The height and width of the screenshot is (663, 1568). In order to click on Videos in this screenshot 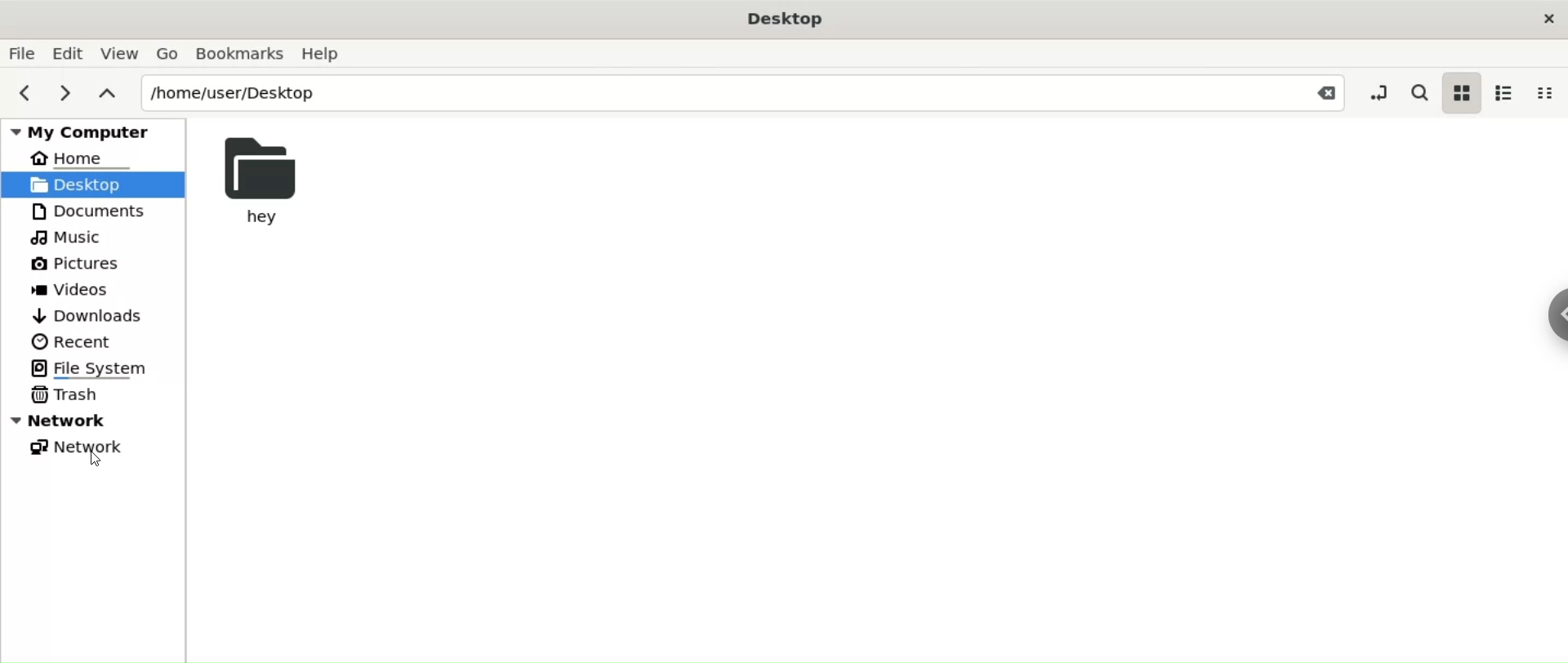, I will do `click(73, 291)`.